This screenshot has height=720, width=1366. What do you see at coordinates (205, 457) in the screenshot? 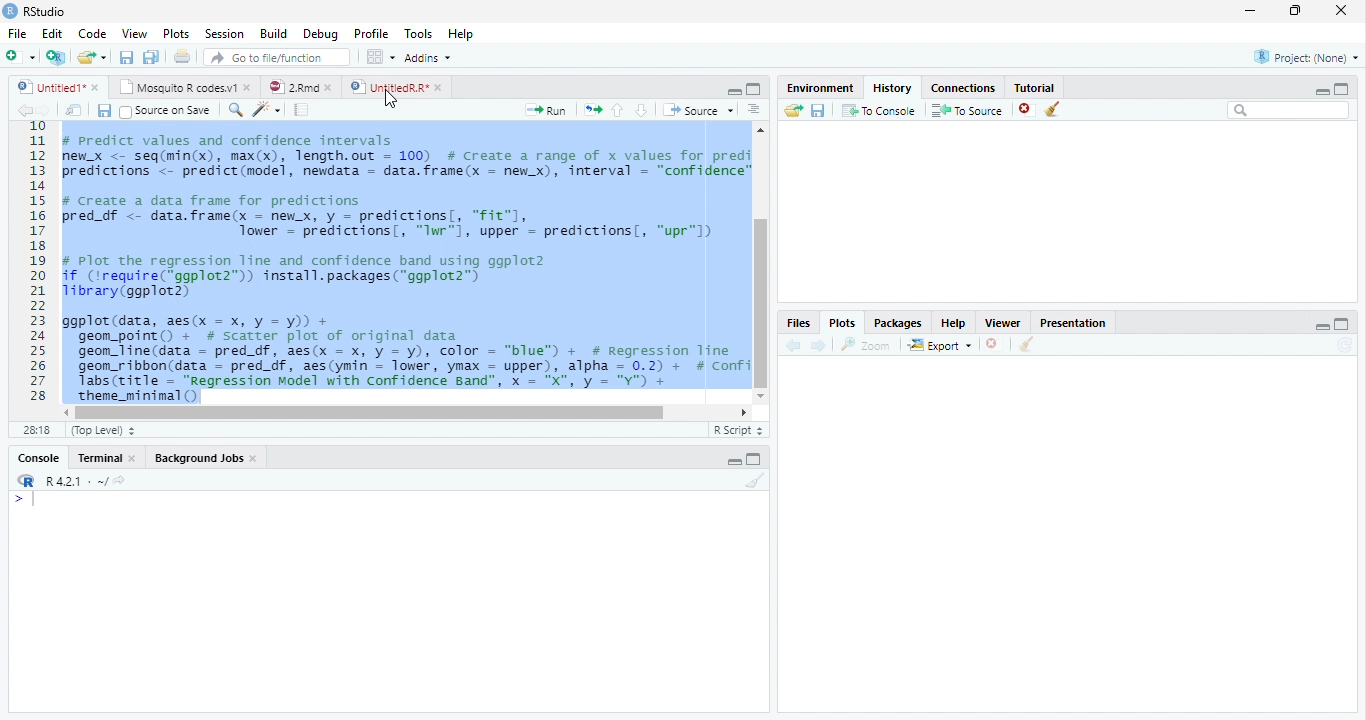
I see `Background Jobs` at bounding box center [205, 457].